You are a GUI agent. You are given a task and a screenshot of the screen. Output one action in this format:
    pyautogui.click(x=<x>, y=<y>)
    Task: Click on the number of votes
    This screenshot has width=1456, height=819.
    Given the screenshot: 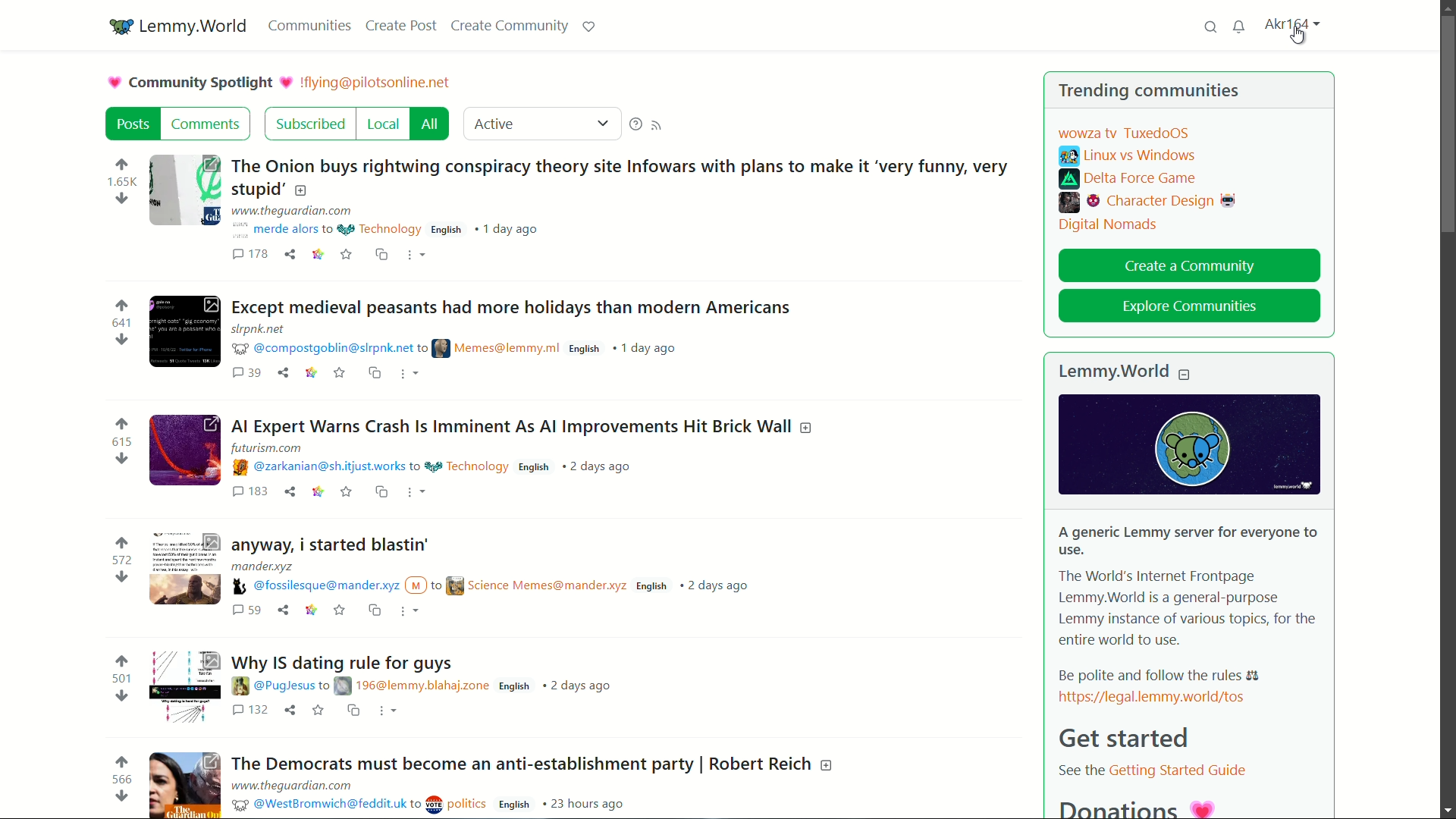 What is the action you would take?
    pyautogui.click(x=122, y=560)
    